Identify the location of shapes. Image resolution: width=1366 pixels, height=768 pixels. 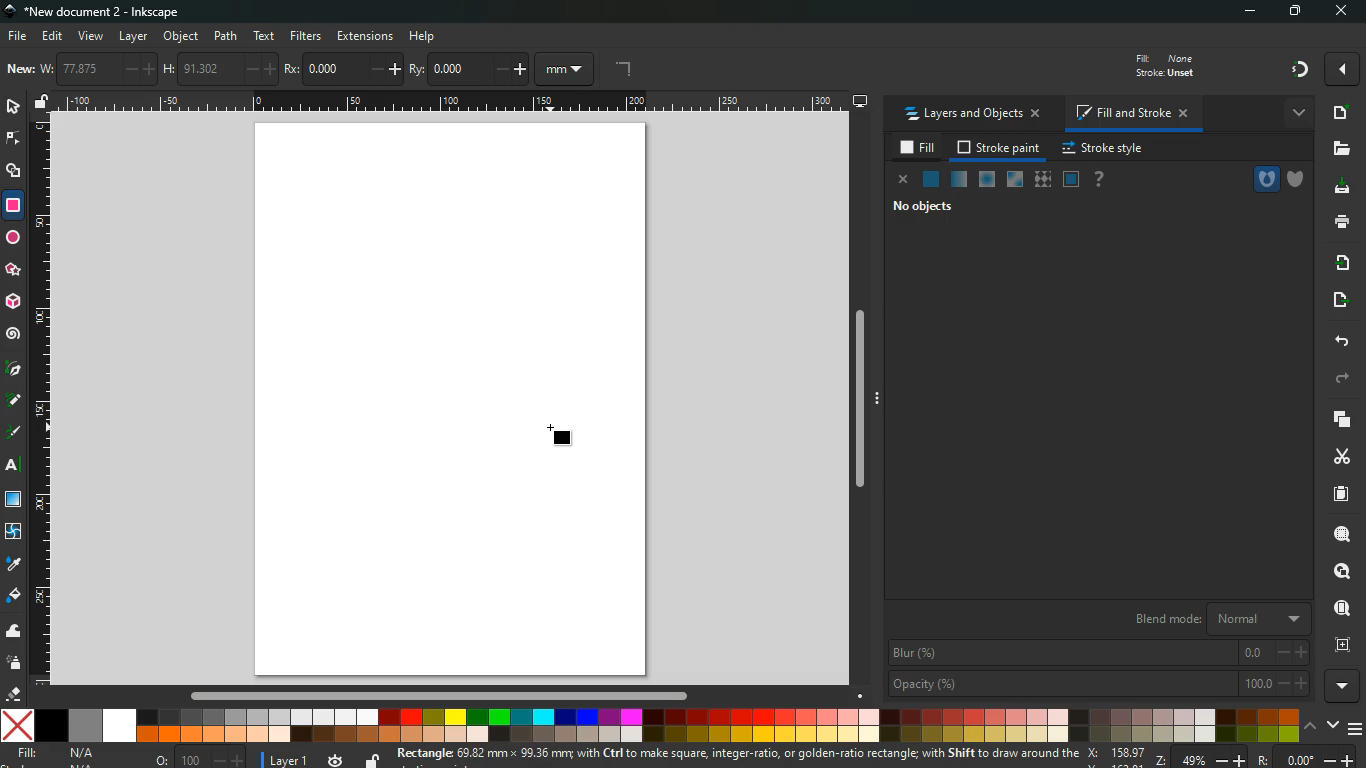
(15, 174).